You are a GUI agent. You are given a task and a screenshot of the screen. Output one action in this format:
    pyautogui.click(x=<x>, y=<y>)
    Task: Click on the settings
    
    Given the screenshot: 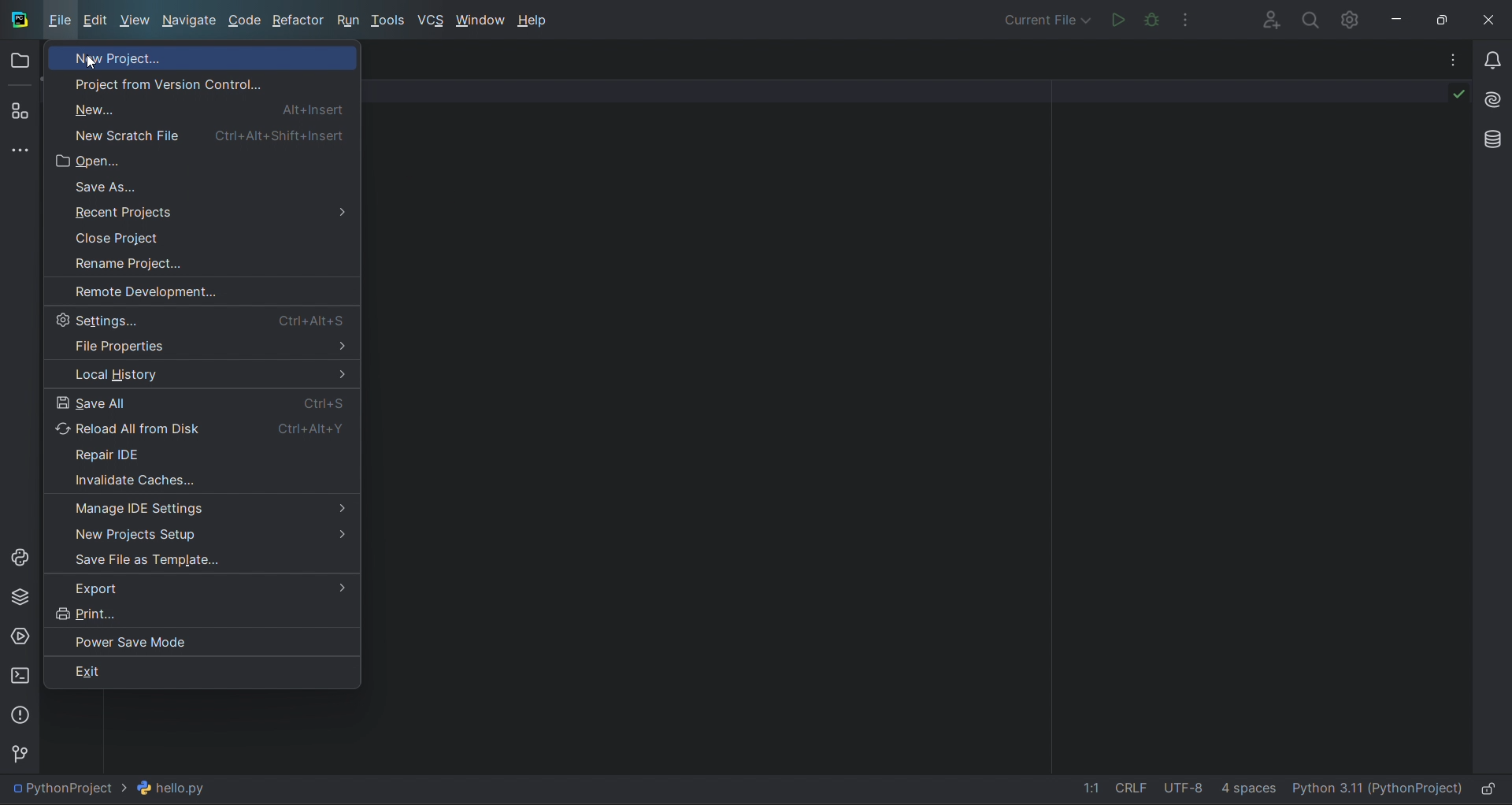 What is the action you would take?
    pyautogui.click(x=209, y=319)
    